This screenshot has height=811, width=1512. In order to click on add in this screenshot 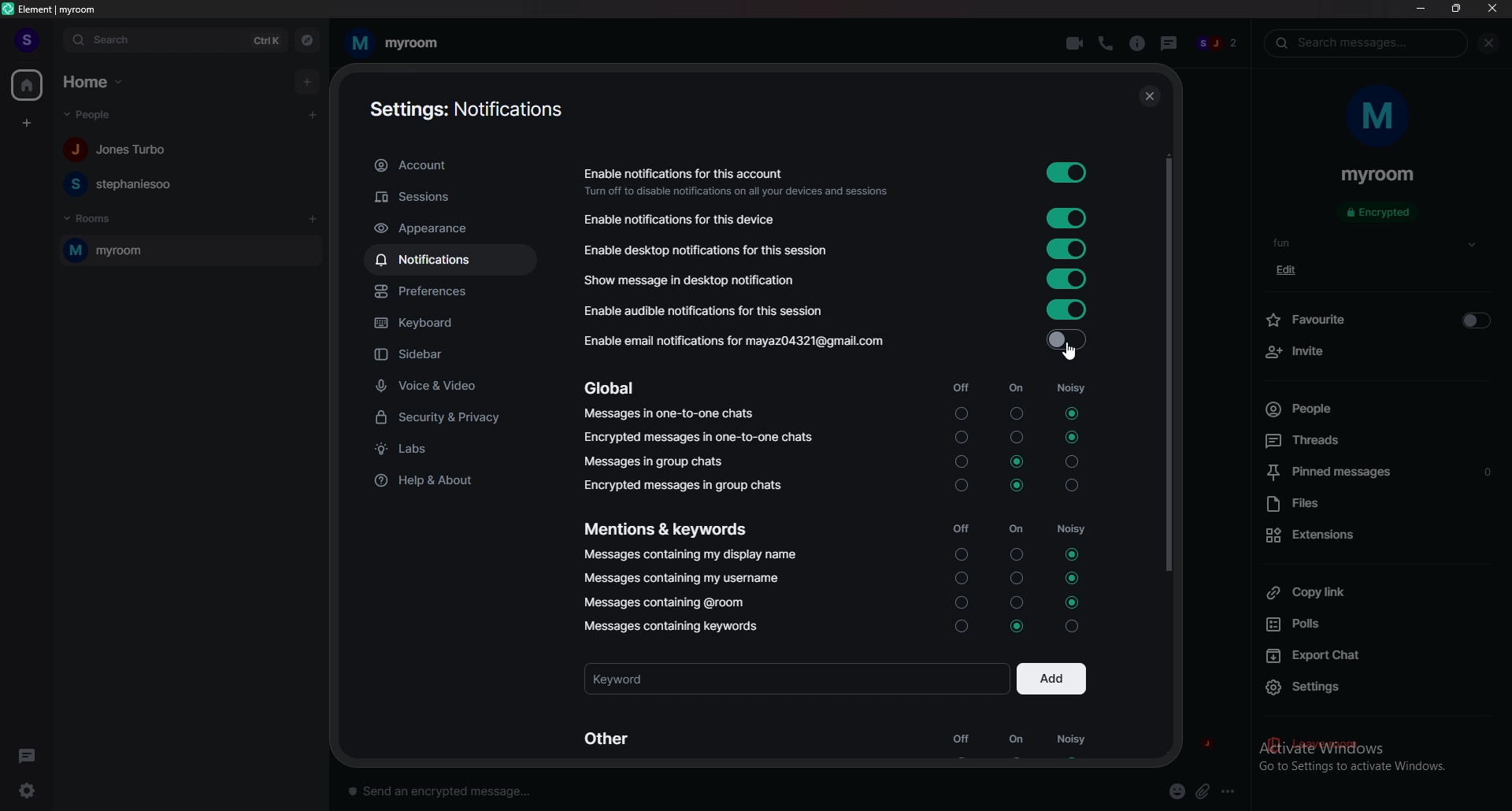, I will do `click(306, 81)`.